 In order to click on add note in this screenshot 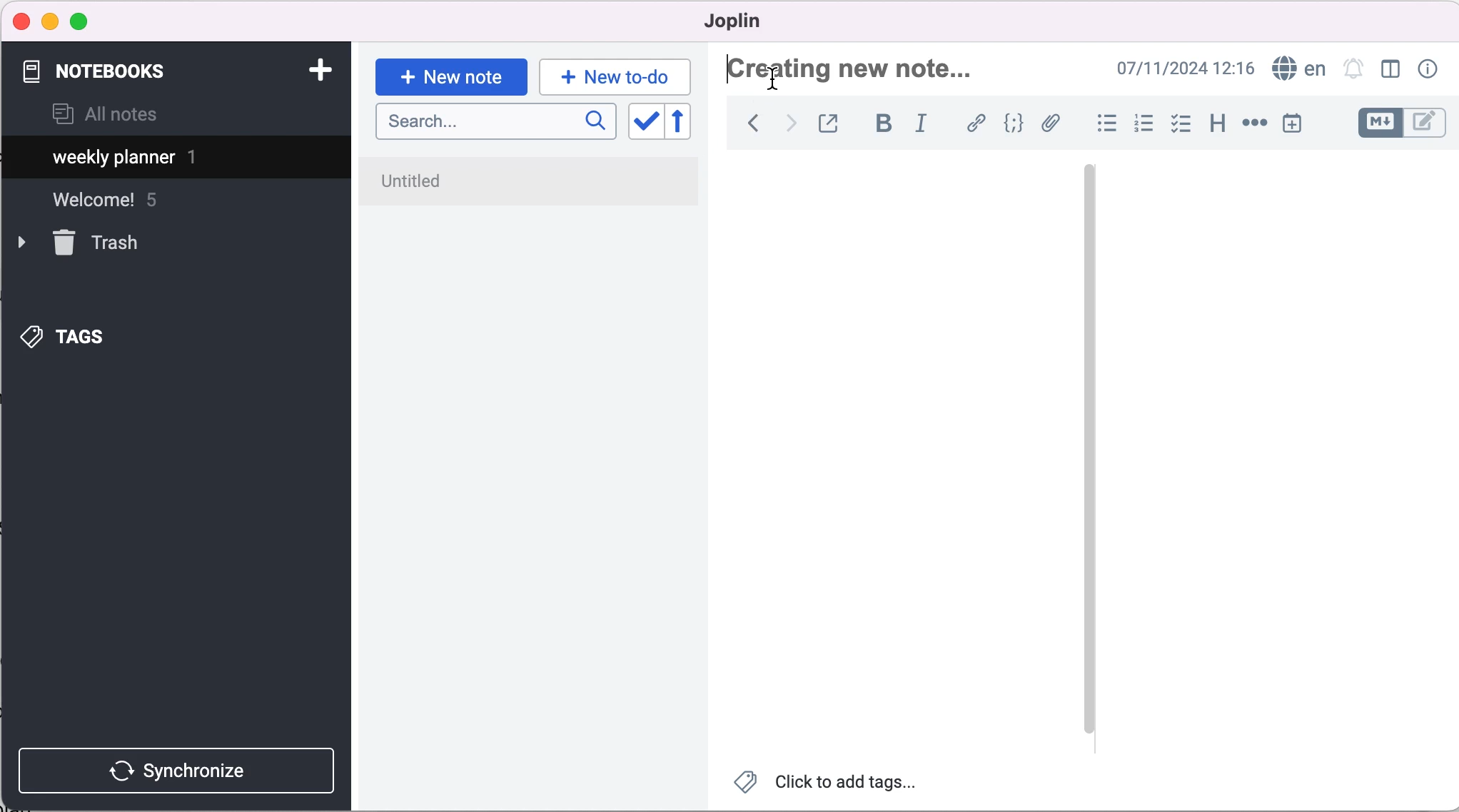, I will do `click(319, 68)`.